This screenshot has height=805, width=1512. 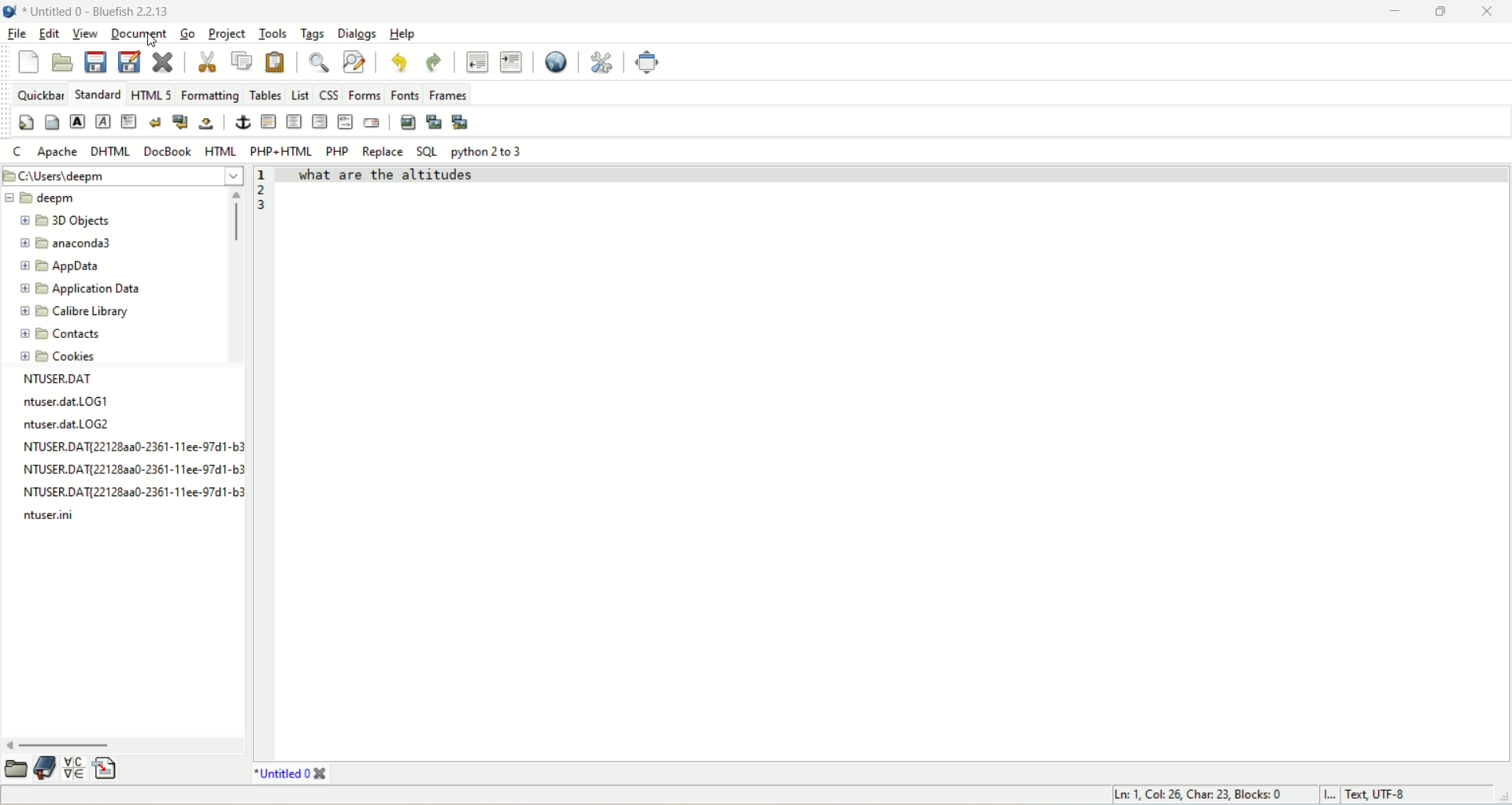 What do you see at coordinates (89, 196) in the screenshot?
I see `deepm` at bounding box center [89, 196].